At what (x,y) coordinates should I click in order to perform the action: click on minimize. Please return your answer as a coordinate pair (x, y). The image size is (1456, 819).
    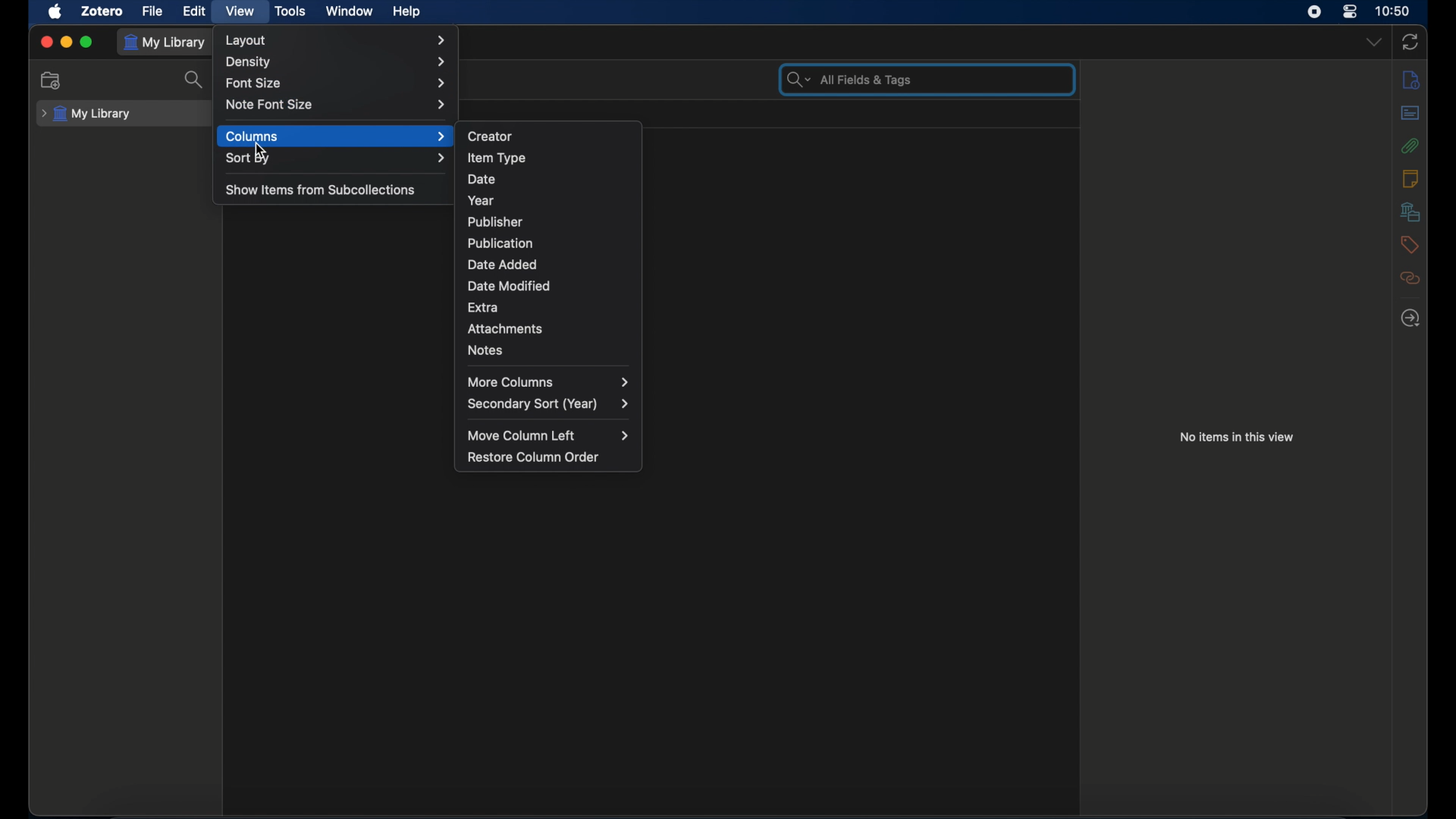
    Looking at the image, I should click on (65, 42).